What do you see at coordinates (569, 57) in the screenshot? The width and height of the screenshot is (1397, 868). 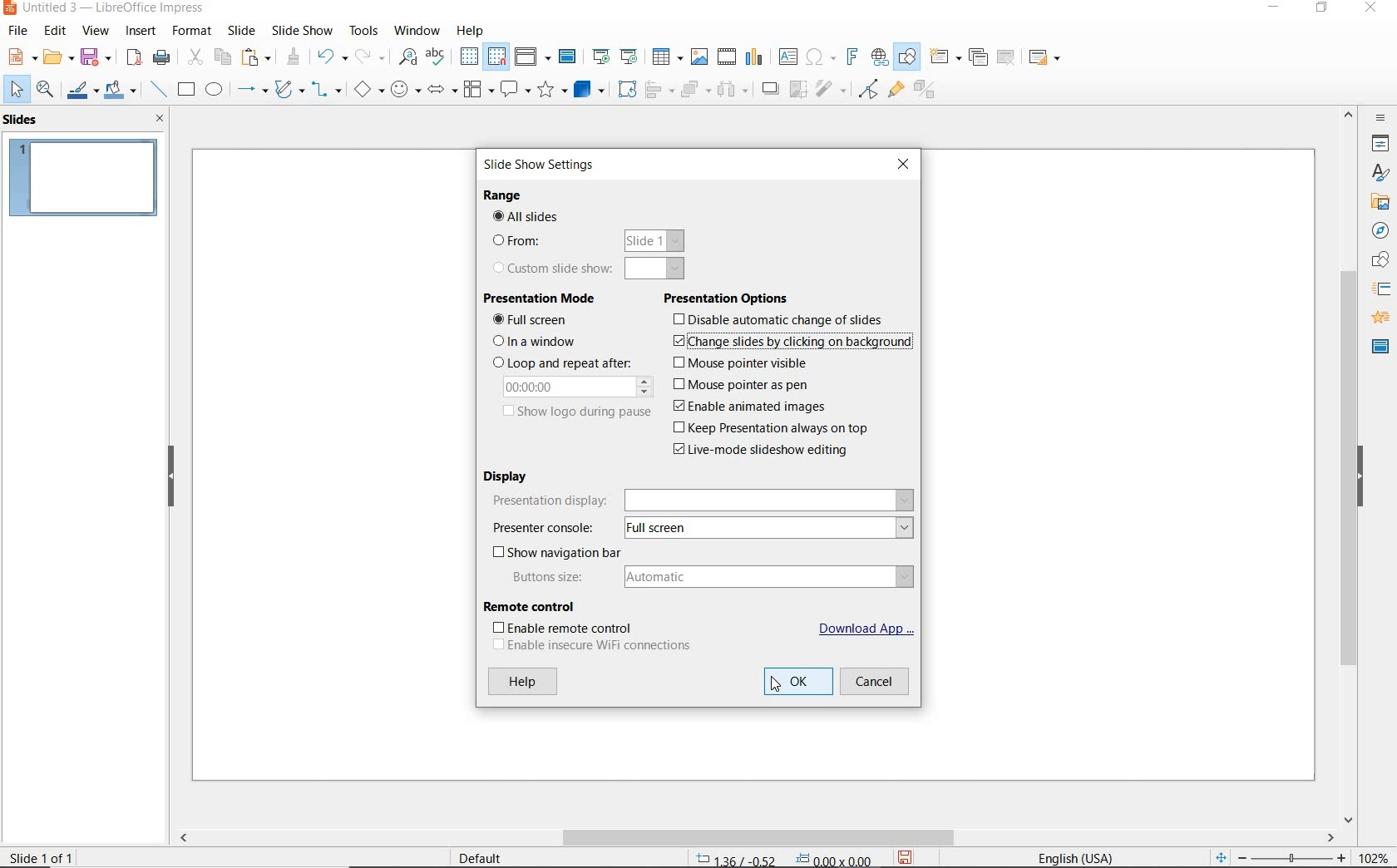 I see `MASTER SLIDE` at bounding box center [569, 57].